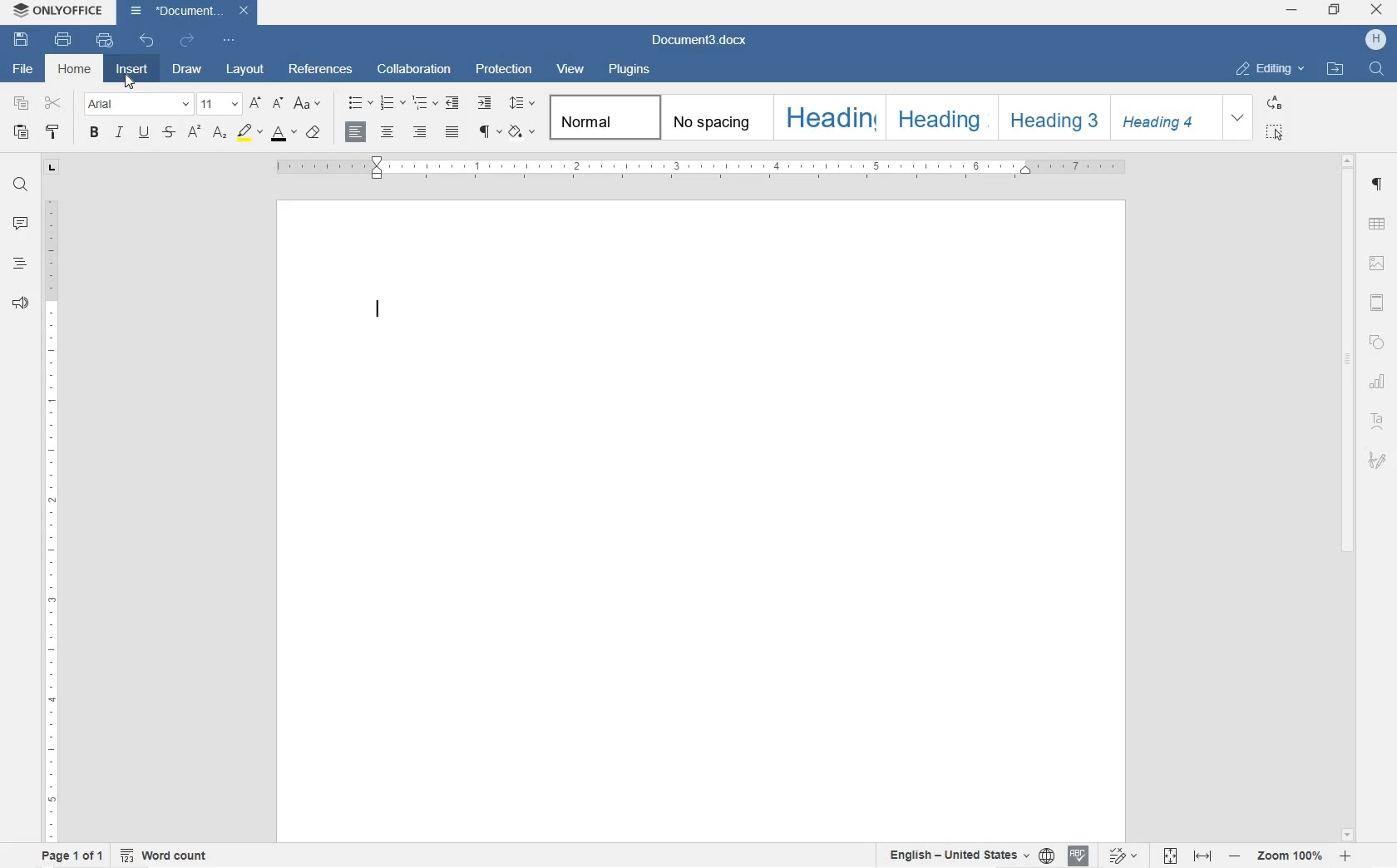  What do you see at coordinates (1379, 264) in the screenshot?
I see `IMAGE` at bounding box center [1379, 264].